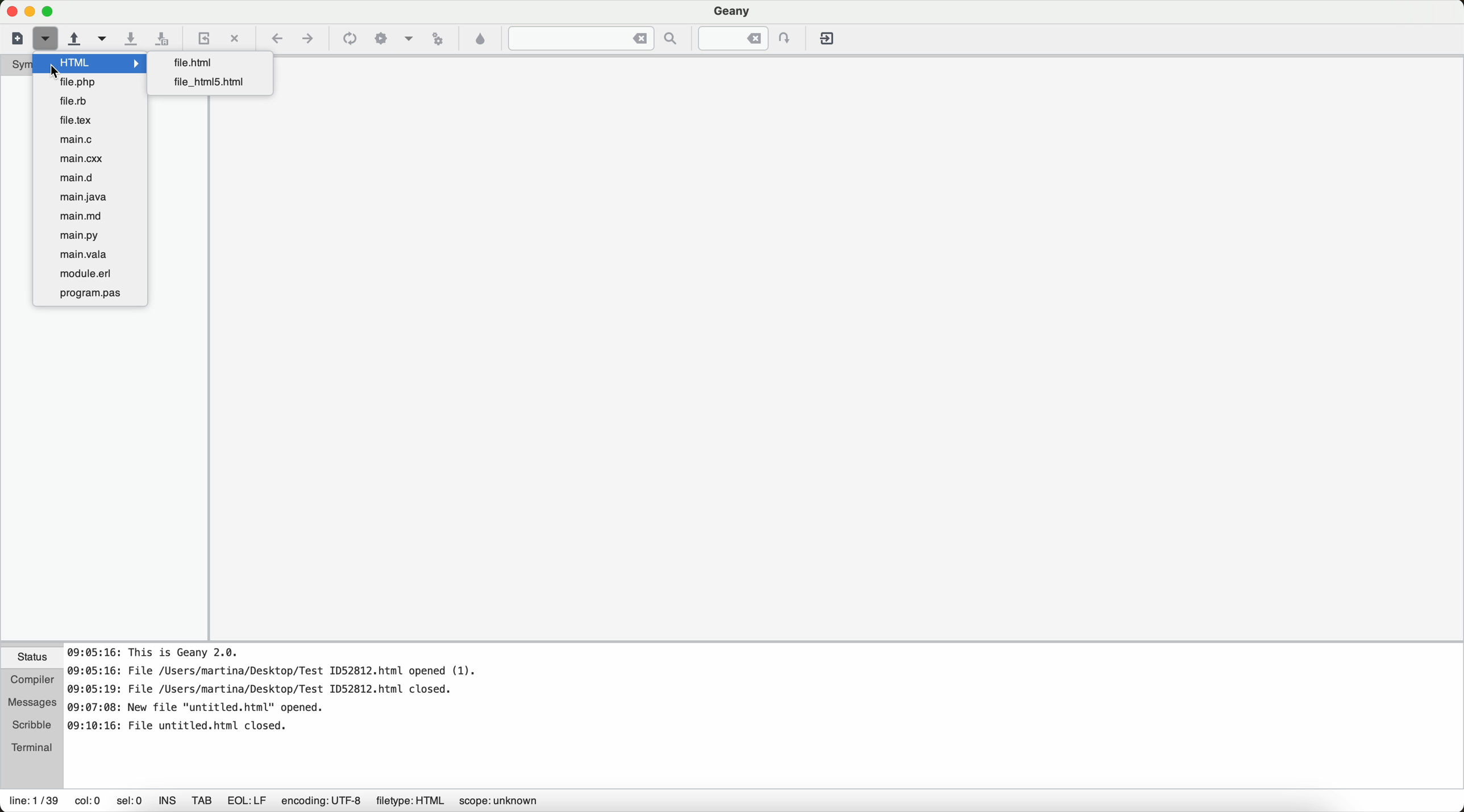 The width and height of the screenshot is (1464, 812). Describe the element at coordinates (203, 40) in the screenshot. I see `reload the current file from a disk` at that location.